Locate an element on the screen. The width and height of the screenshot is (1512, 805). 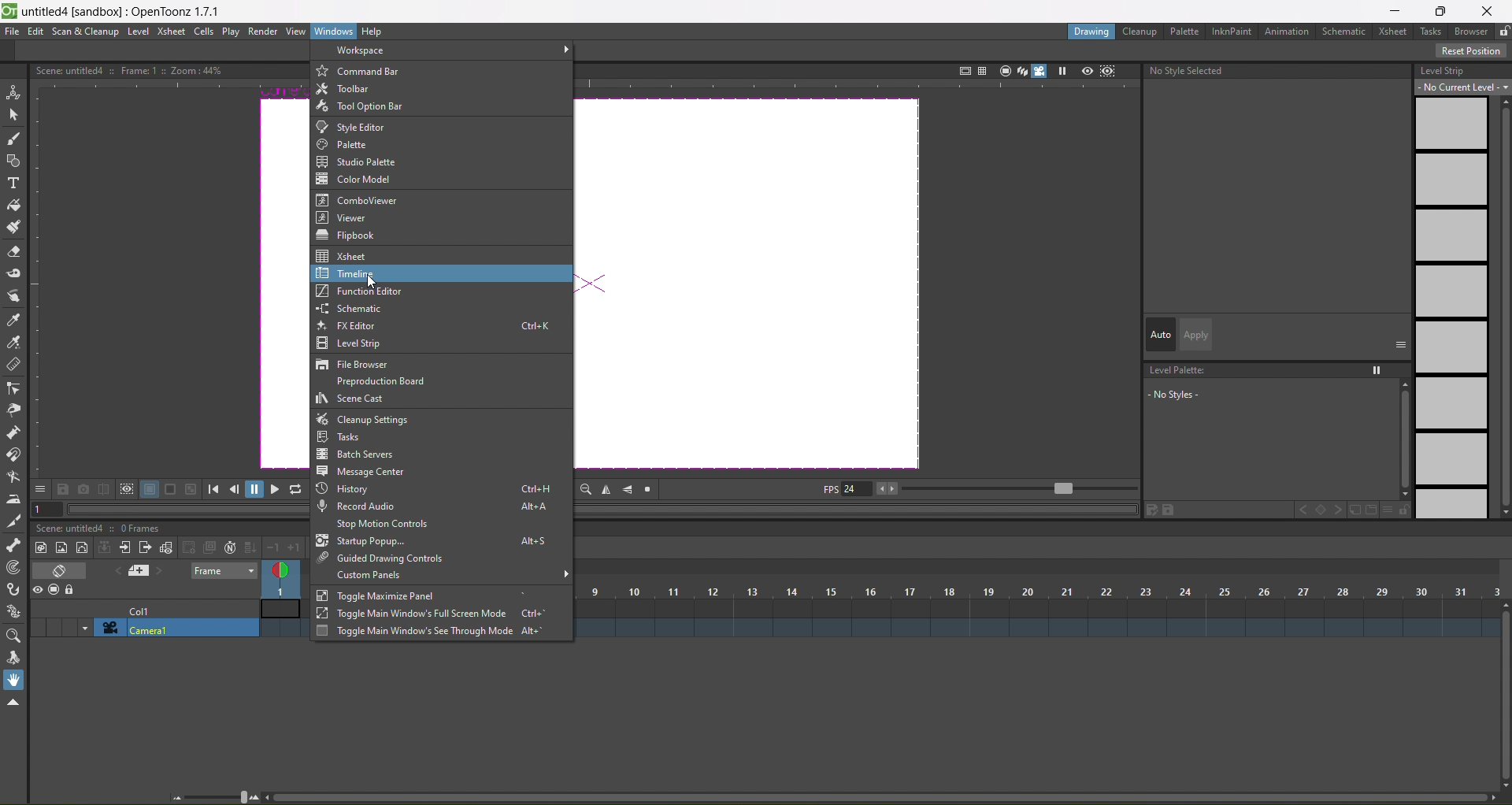
record audio is located at coordinates (443, 507).